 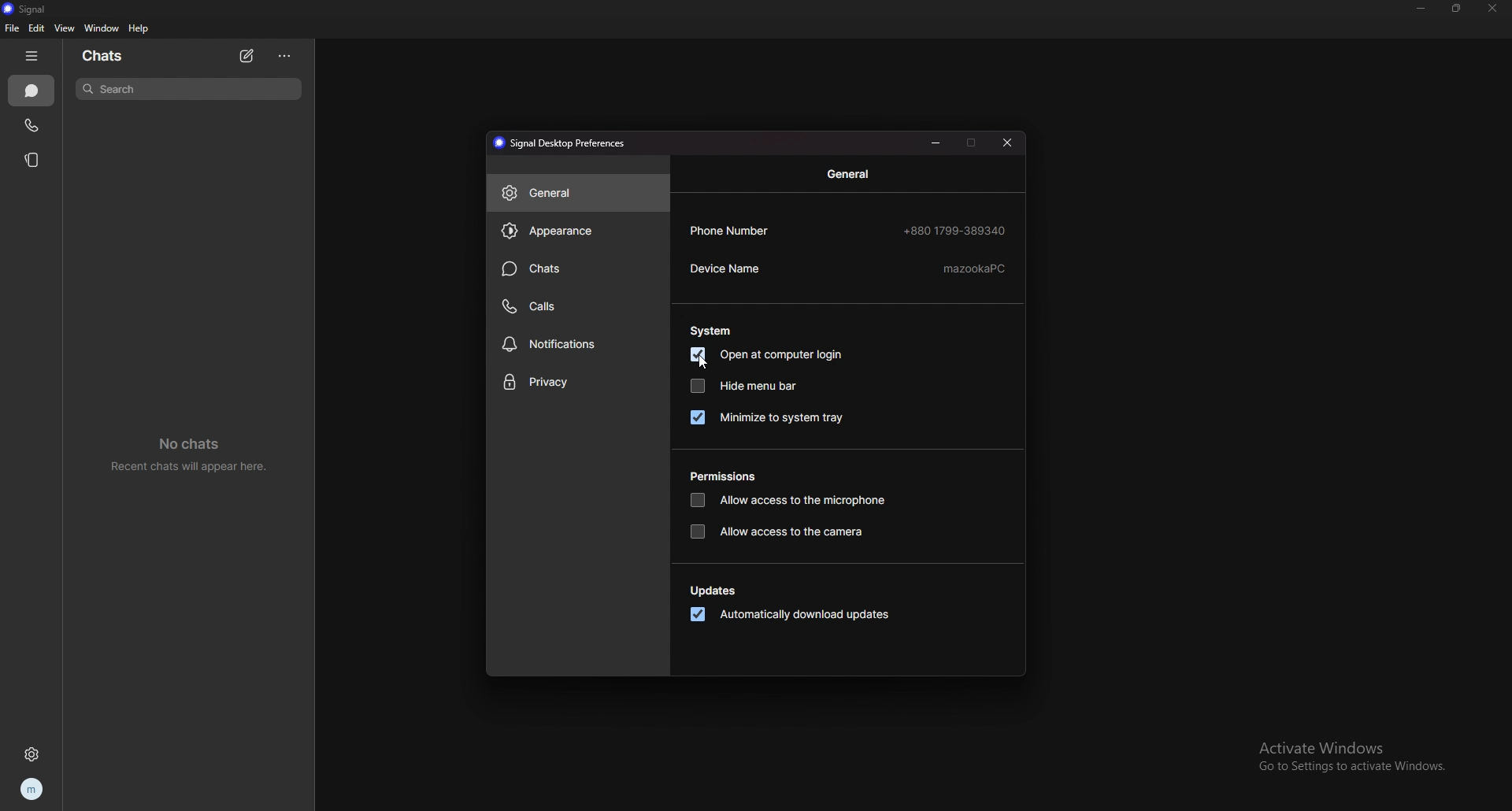 I want to click on signal, so click(x=30, y=9).